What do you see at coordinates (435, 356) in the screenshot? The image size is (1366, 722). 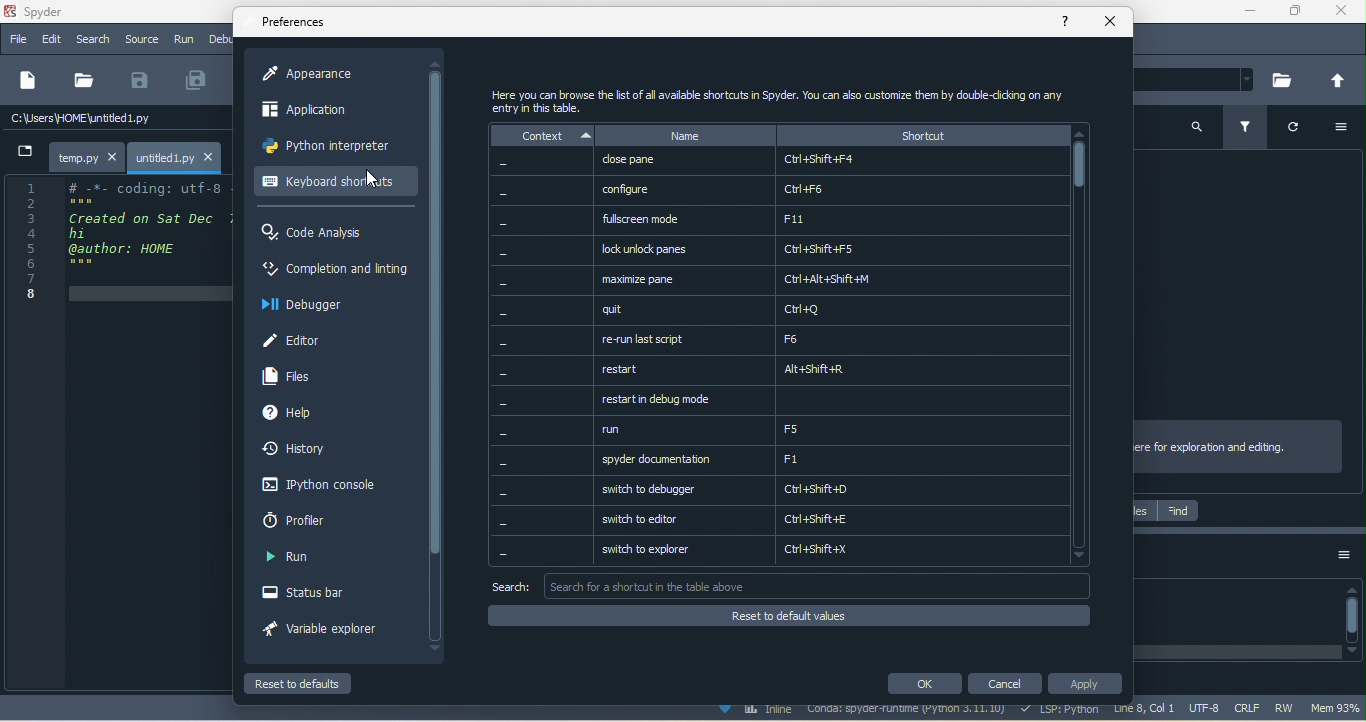 I see `vertical scroll bar` at bounding box center [435, 356].